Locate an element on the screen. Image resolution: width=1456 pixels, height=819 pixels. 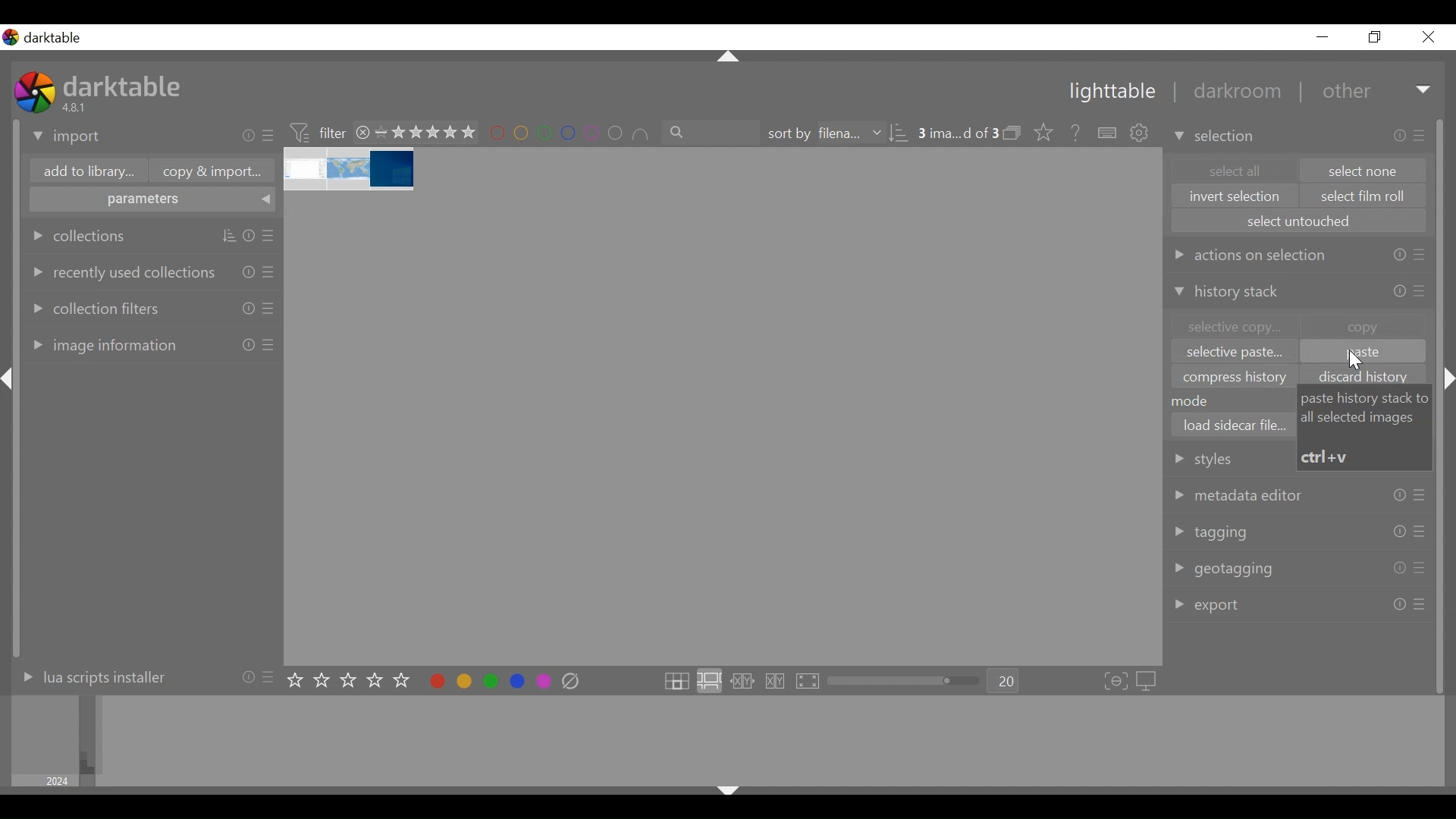
import is located at coordinates (67, 137).